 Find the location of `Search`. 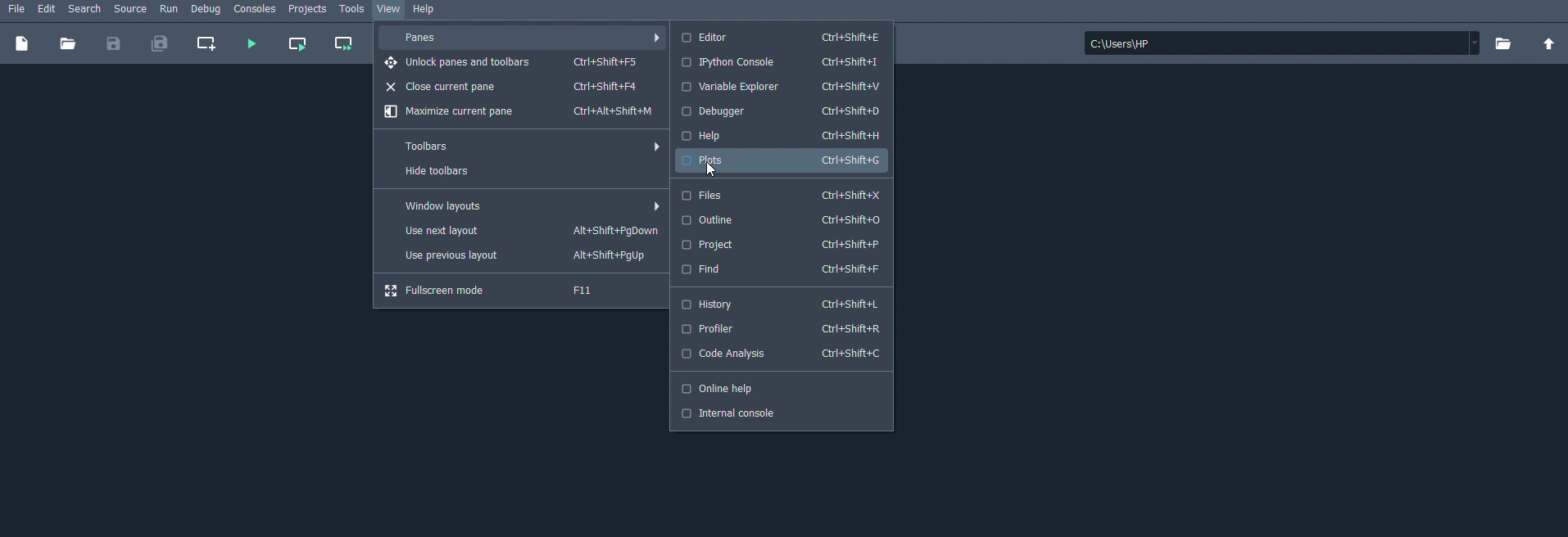

Search is located at coordinates (86, 9).